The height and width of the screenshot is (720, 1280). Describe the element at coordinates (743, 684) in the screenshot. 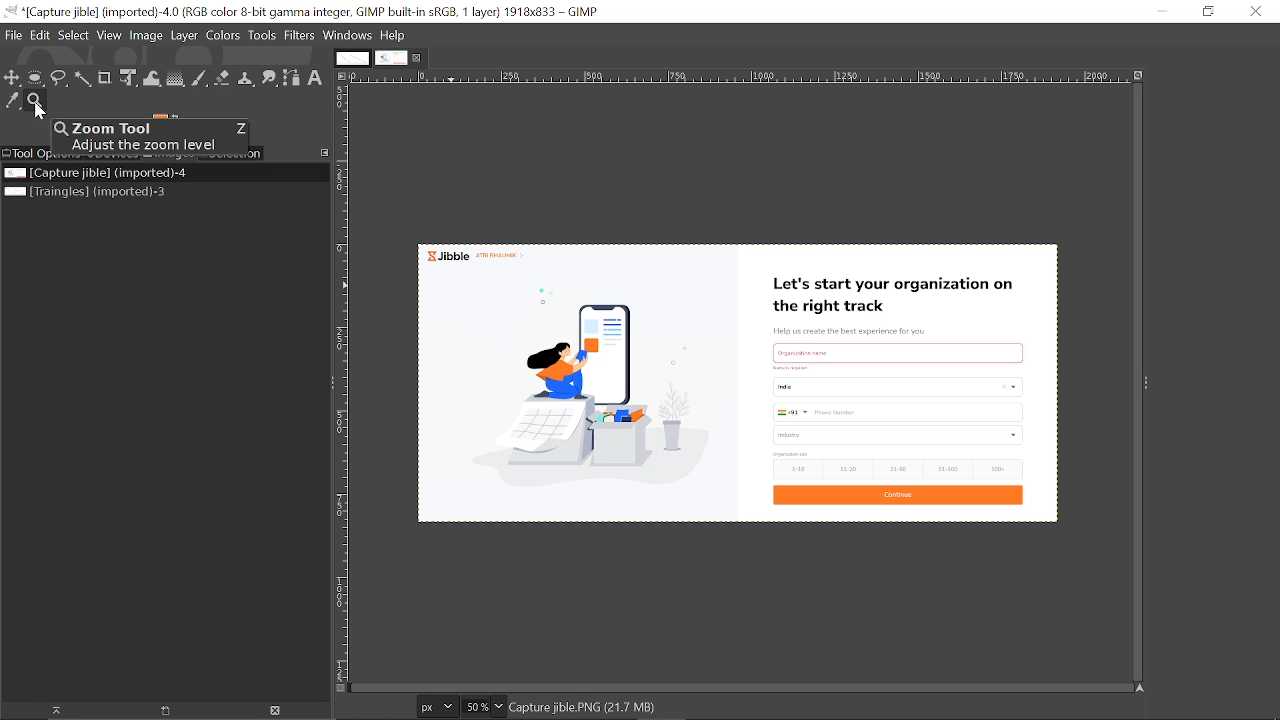

I see `horizontal scroll bar` at that location.